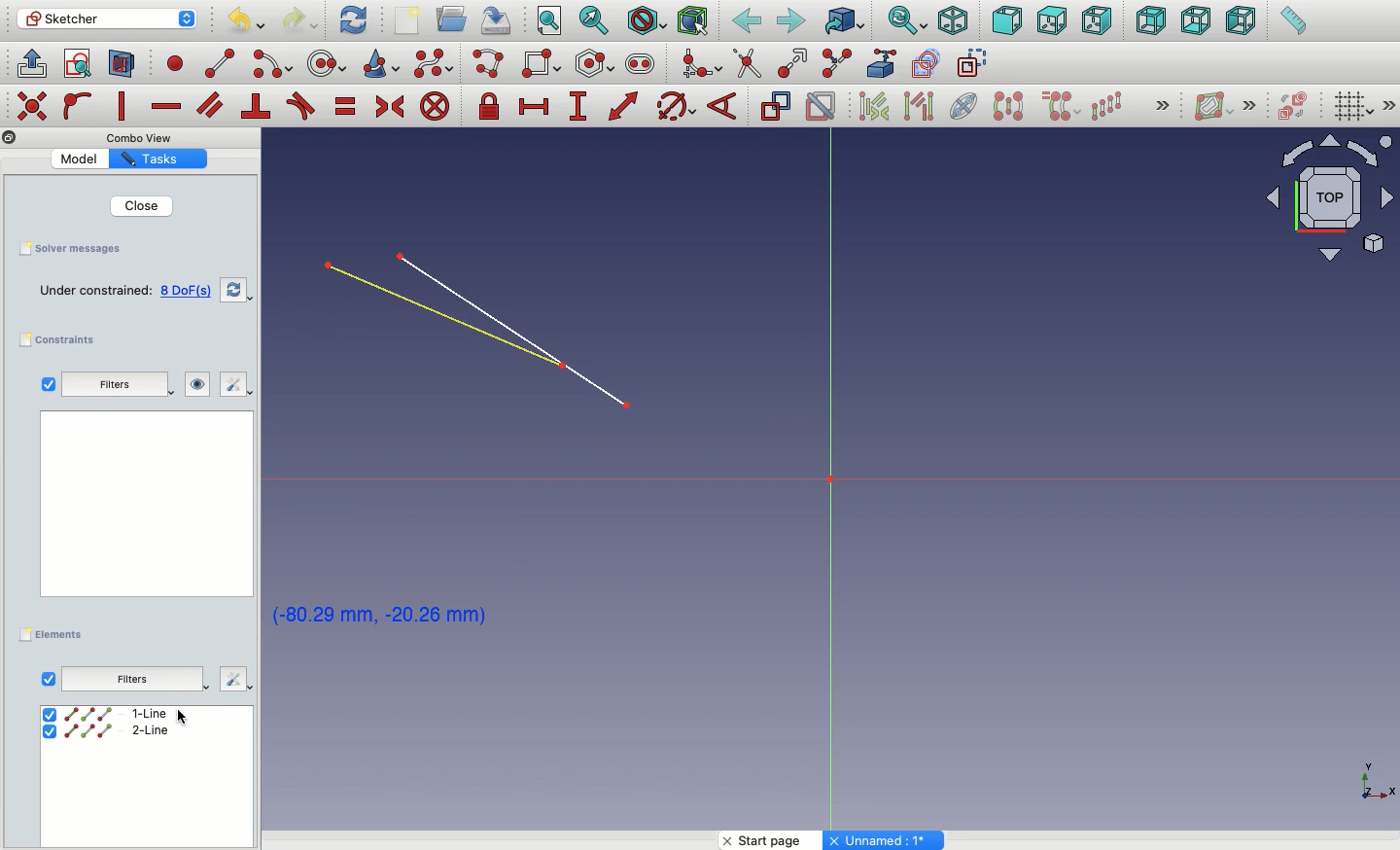  I want to click on Fit selection, so click(596, 19).